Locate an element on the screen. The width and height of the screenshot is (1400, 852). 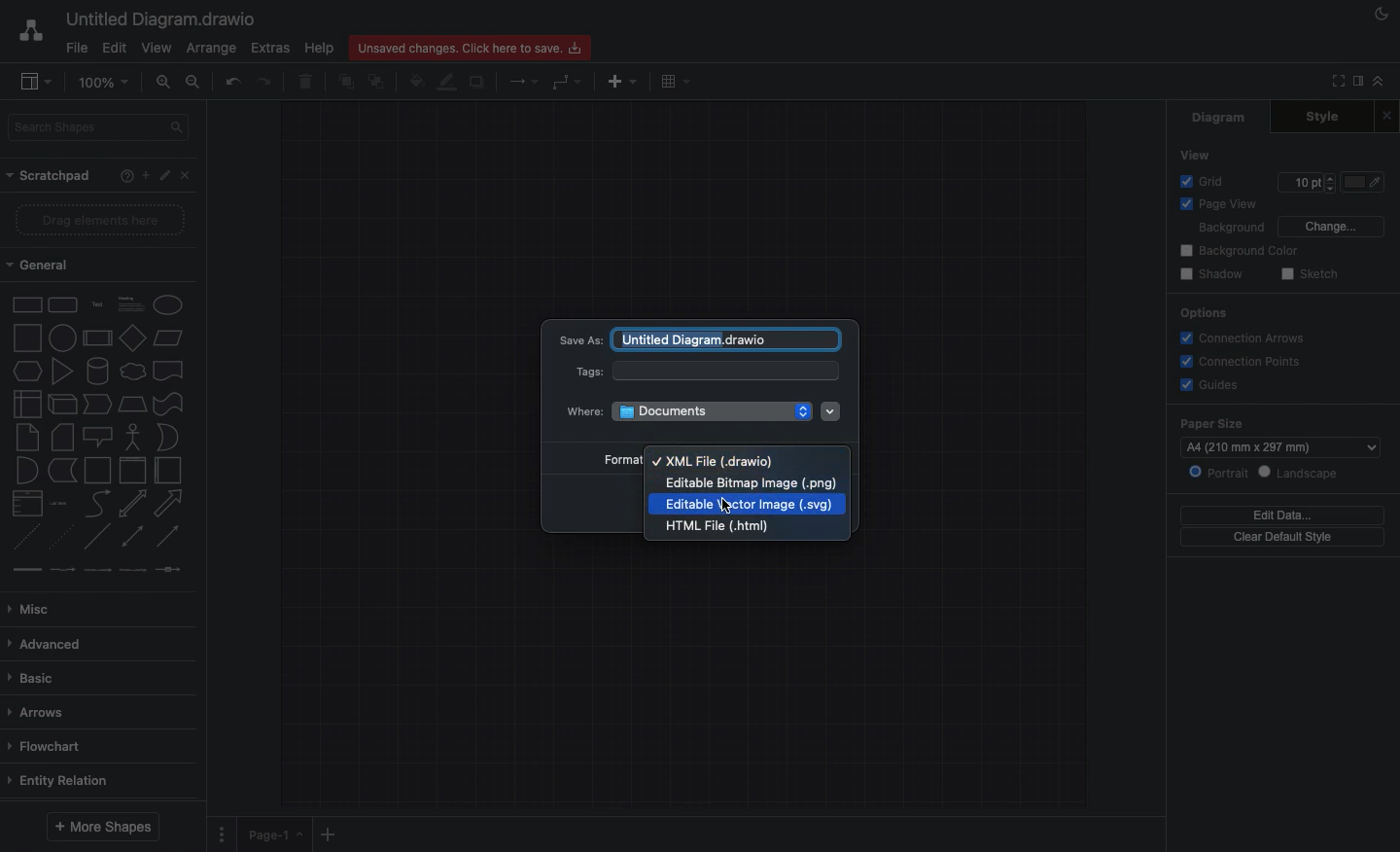
Scratchpad is located at coordinates (49, 177).